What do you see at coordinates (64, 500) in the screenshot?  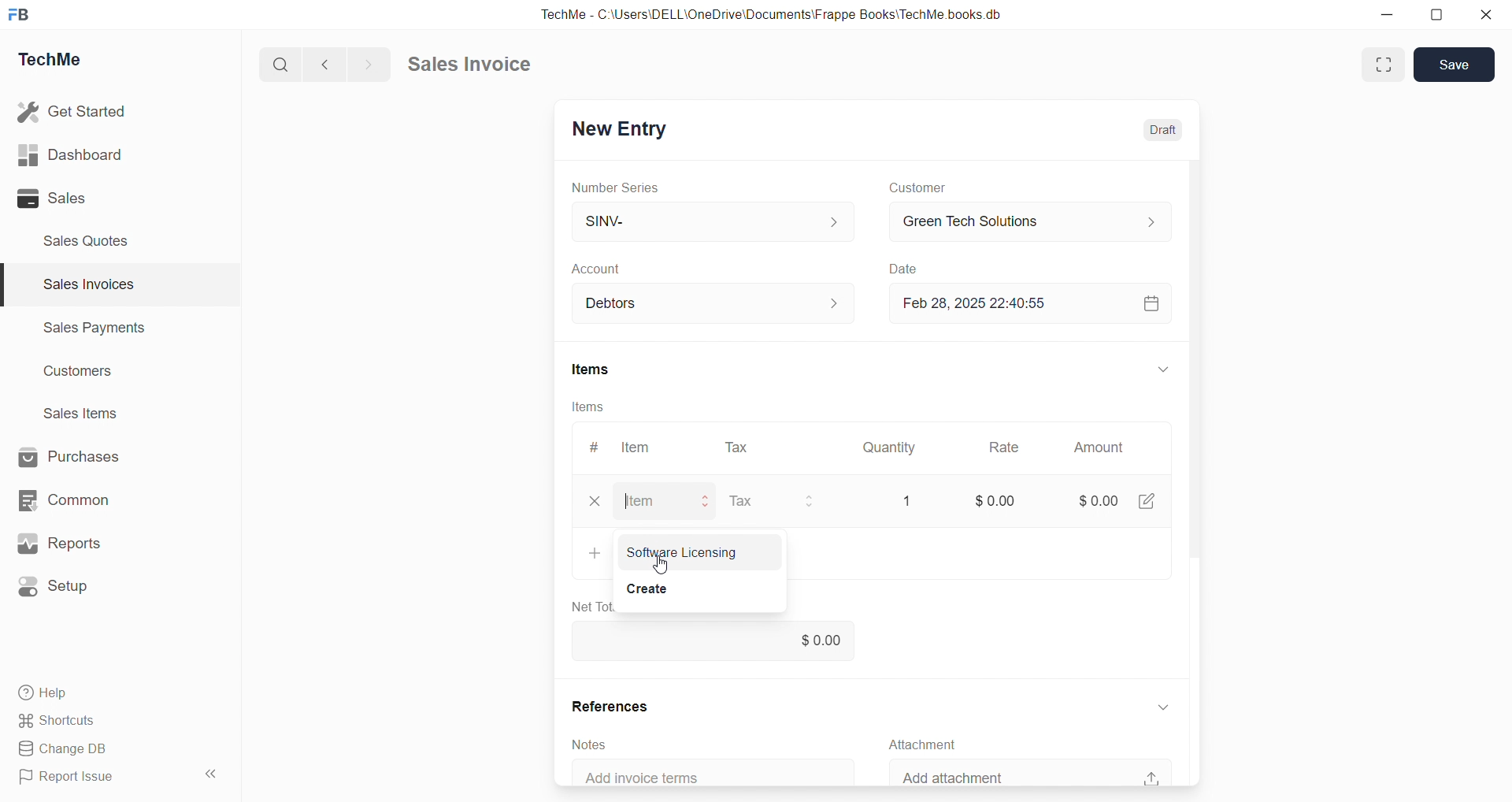 I see `Common` at bounding box center [64, 500].